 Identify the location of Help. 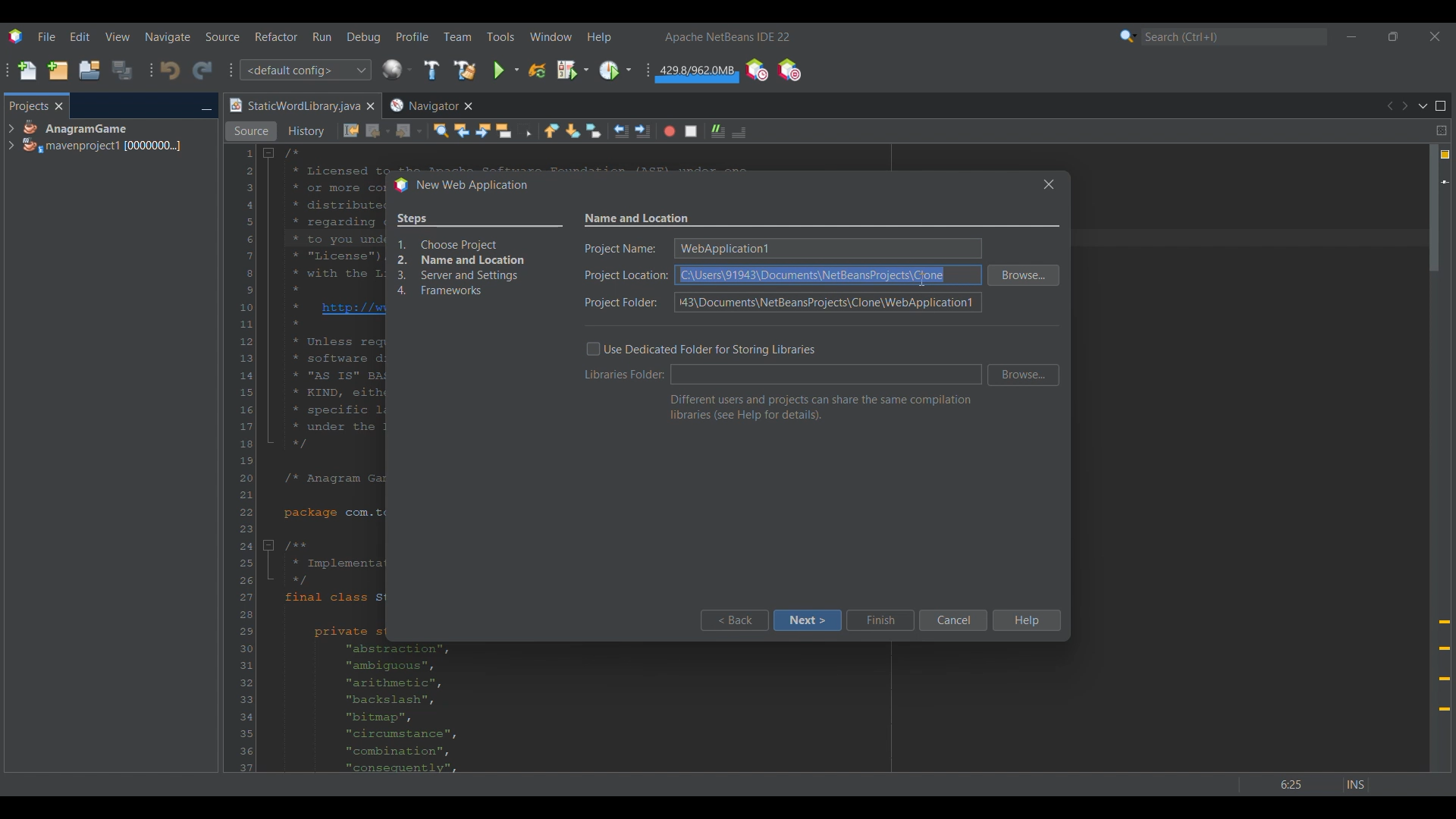
(1025, 620).